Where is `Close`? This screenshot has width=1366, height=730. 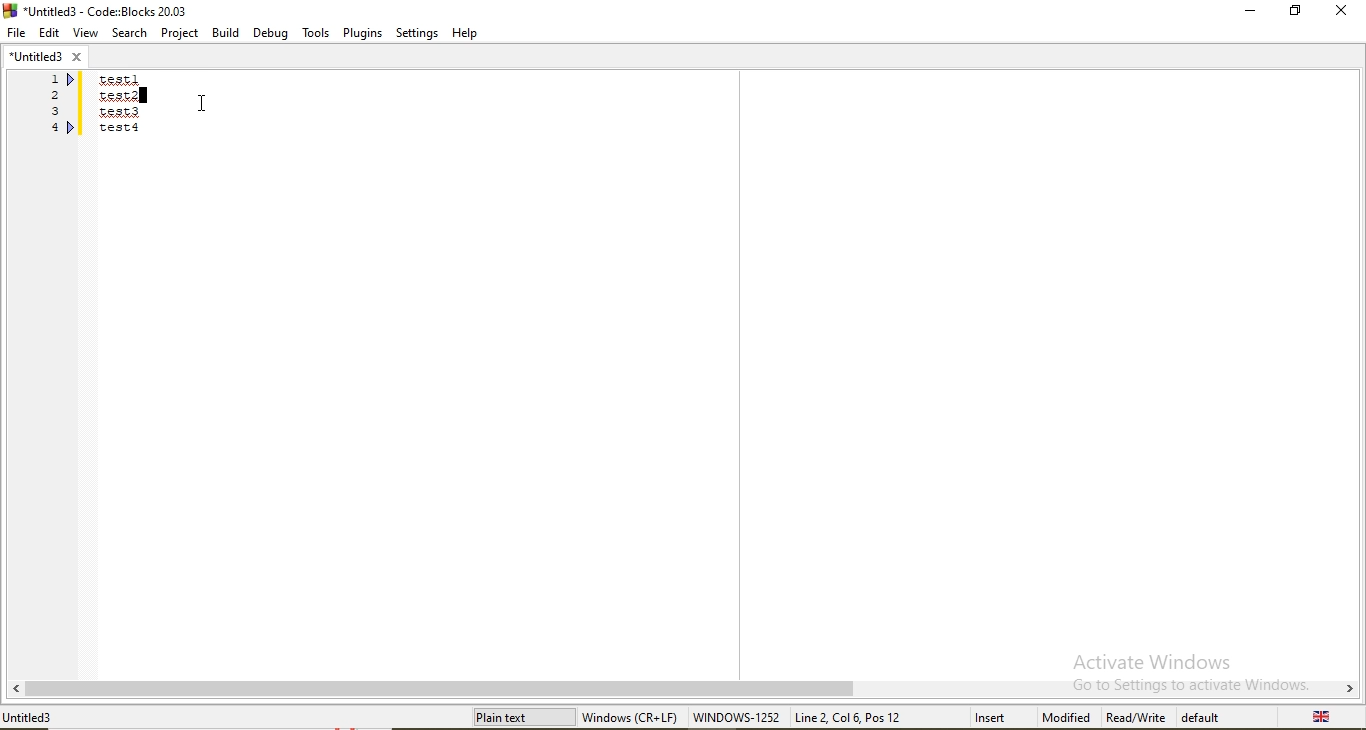 Close is located at coordinates (1340, 11).